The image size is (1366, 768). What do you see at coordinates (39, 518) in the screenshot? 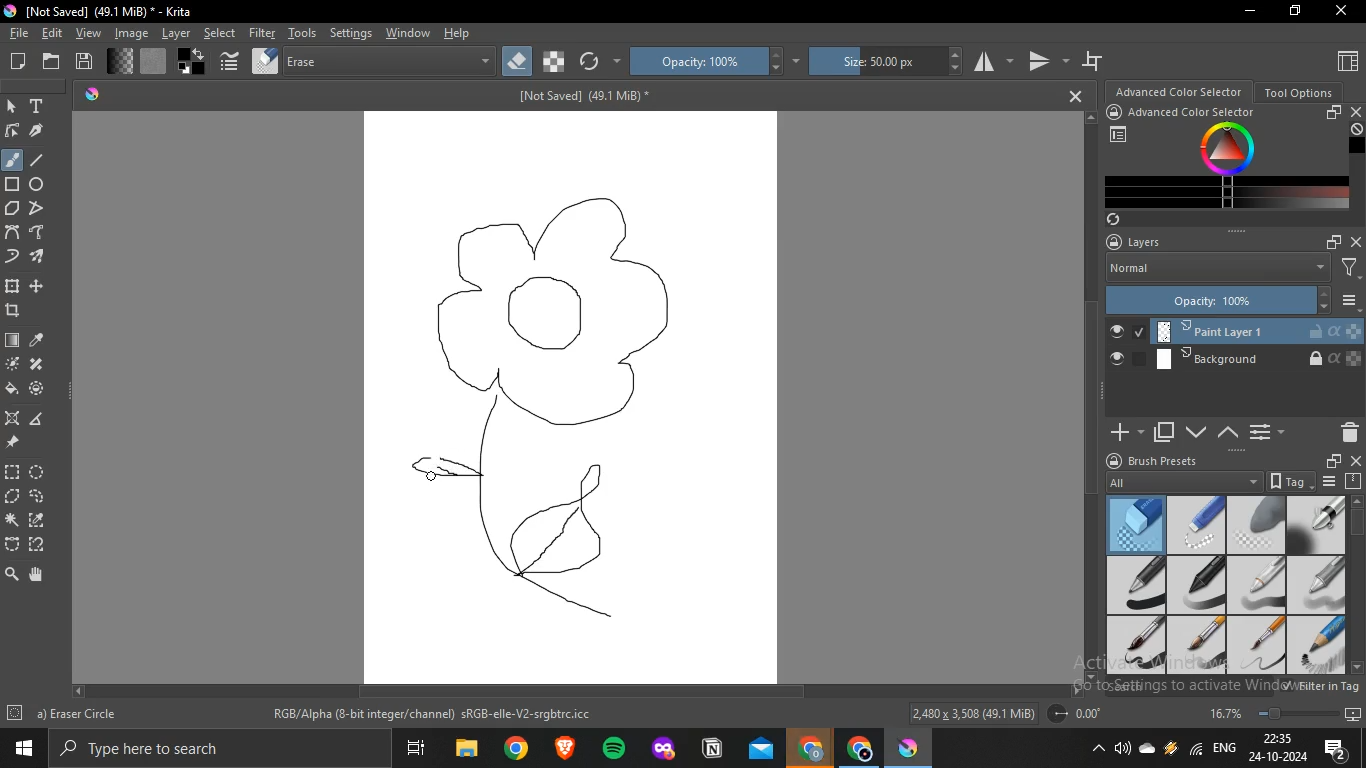
I see `similar color selection tool` at bounding box center [39, 518].